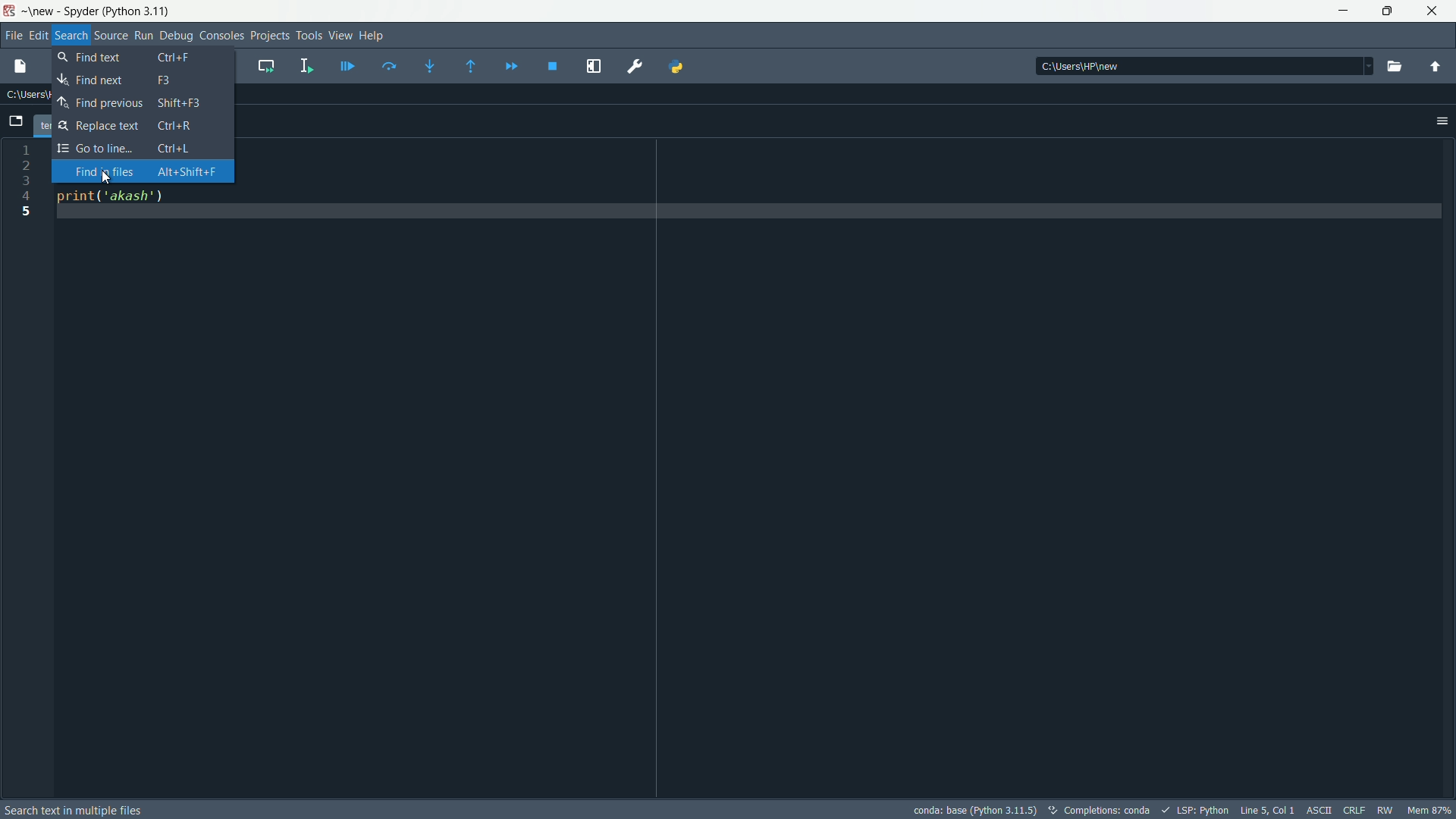  What do you see at coordinates (636, 67) in the screenshot?
I see `preferences` at bounding box center [636, 67].